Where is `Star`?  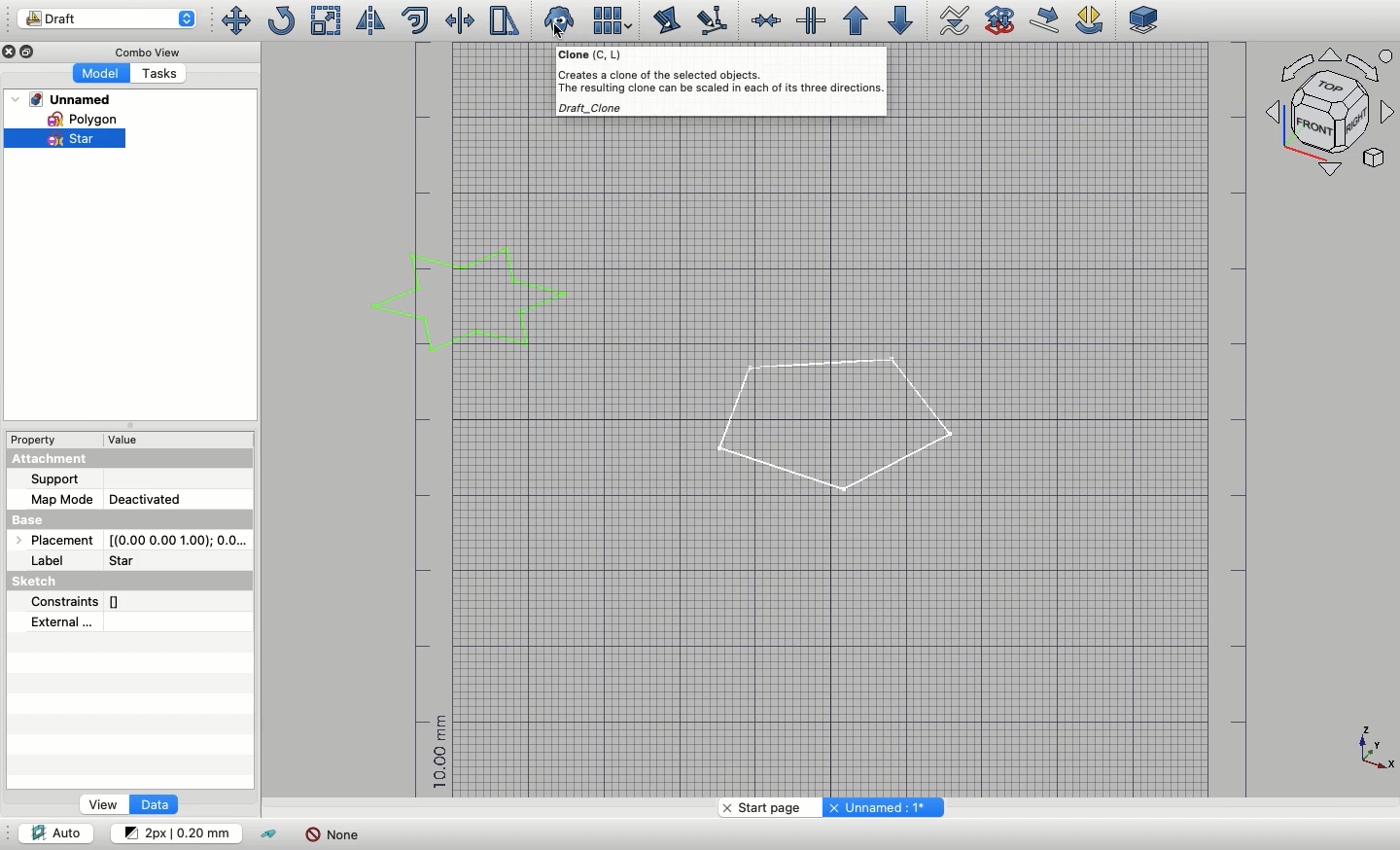 Star is located at coordinates (133, 560).